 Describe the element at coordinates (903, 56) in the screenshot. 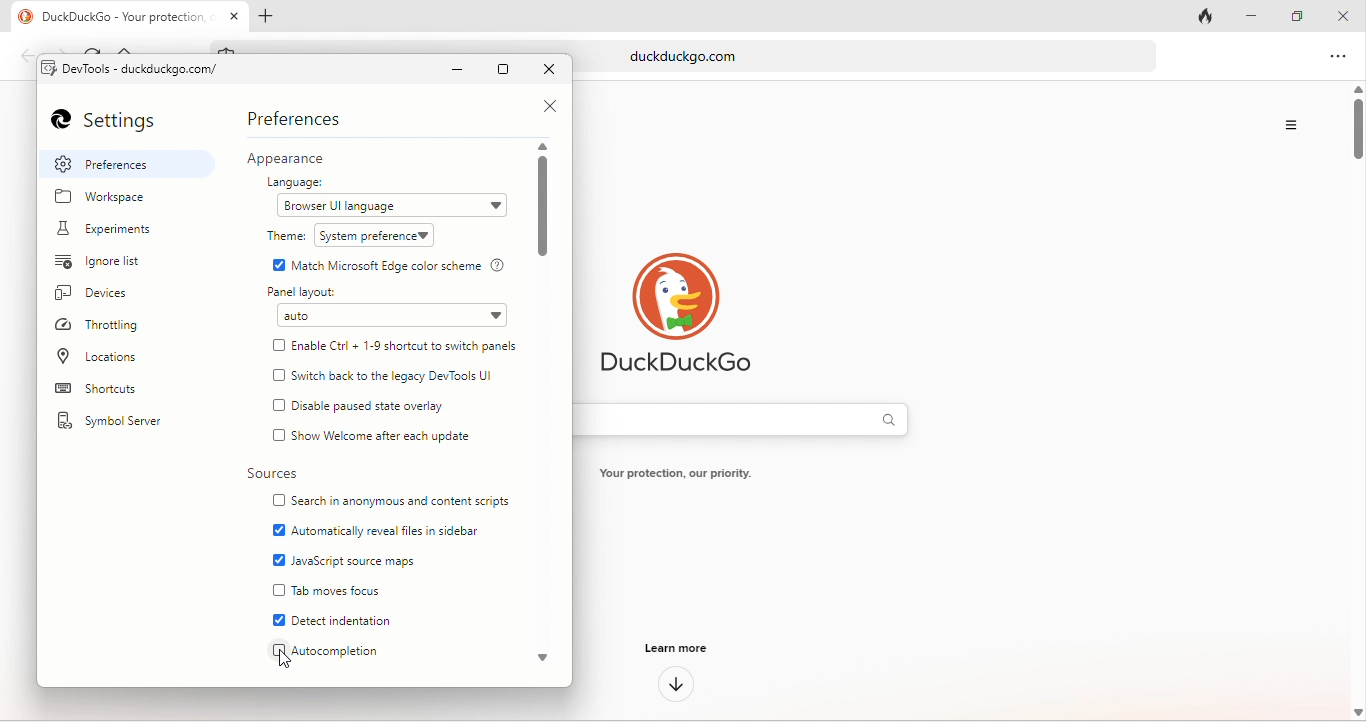

I see `duckduckgo.com` at that location.